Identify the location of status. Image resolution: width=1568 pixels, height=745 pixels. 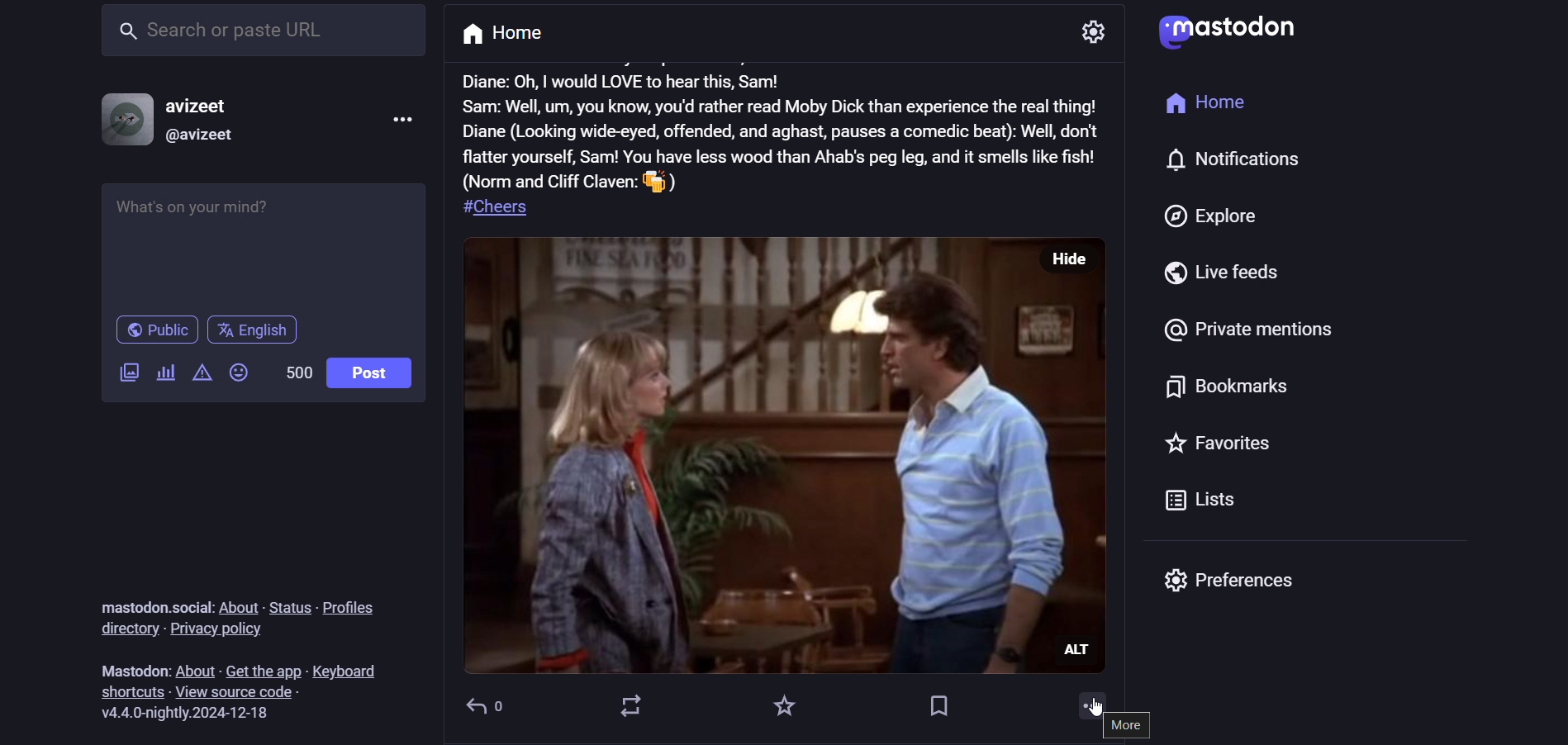
(291, 607).